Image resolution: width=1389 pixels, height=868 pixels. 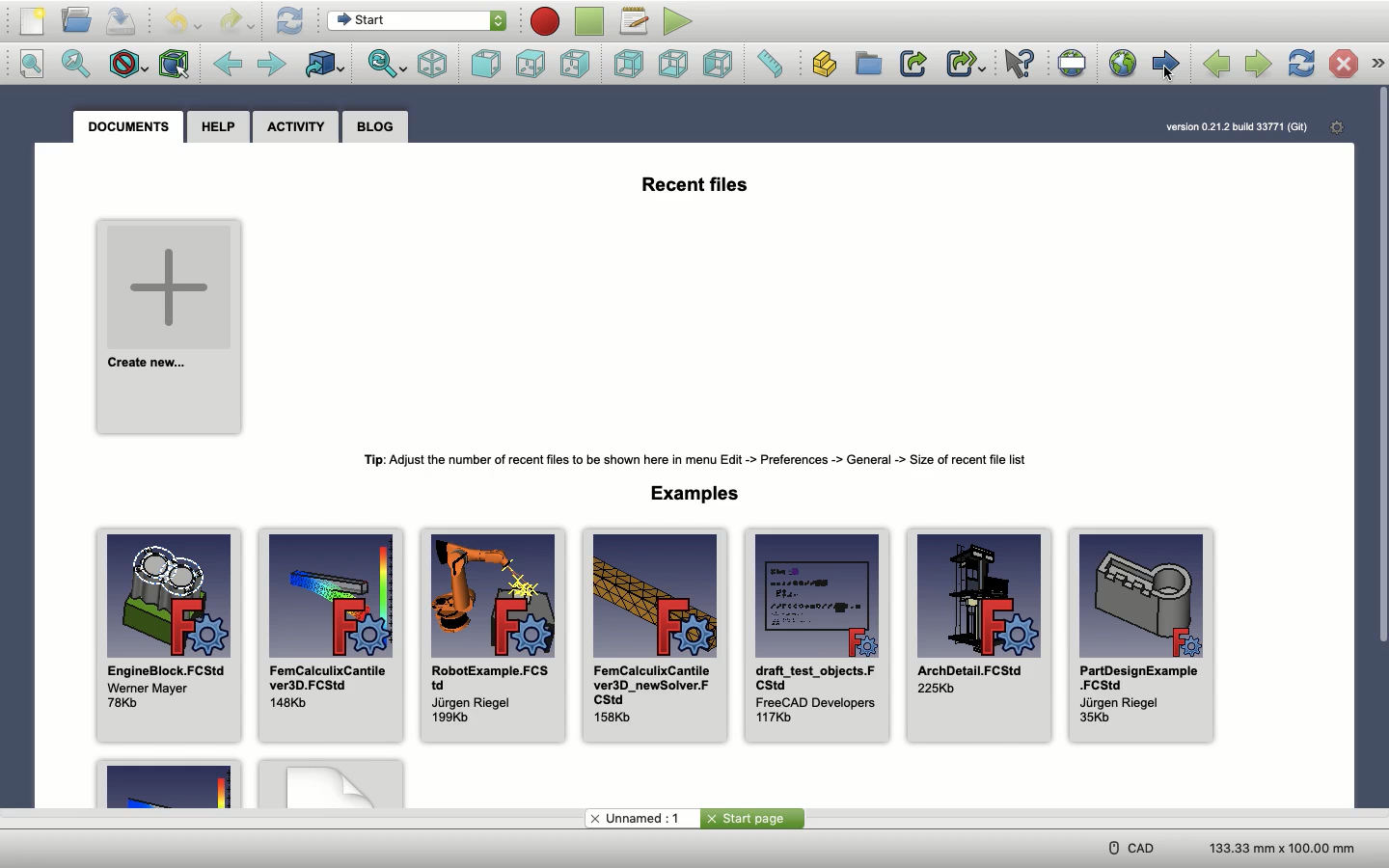 I want to click on Front, so click(x=486, y=65).